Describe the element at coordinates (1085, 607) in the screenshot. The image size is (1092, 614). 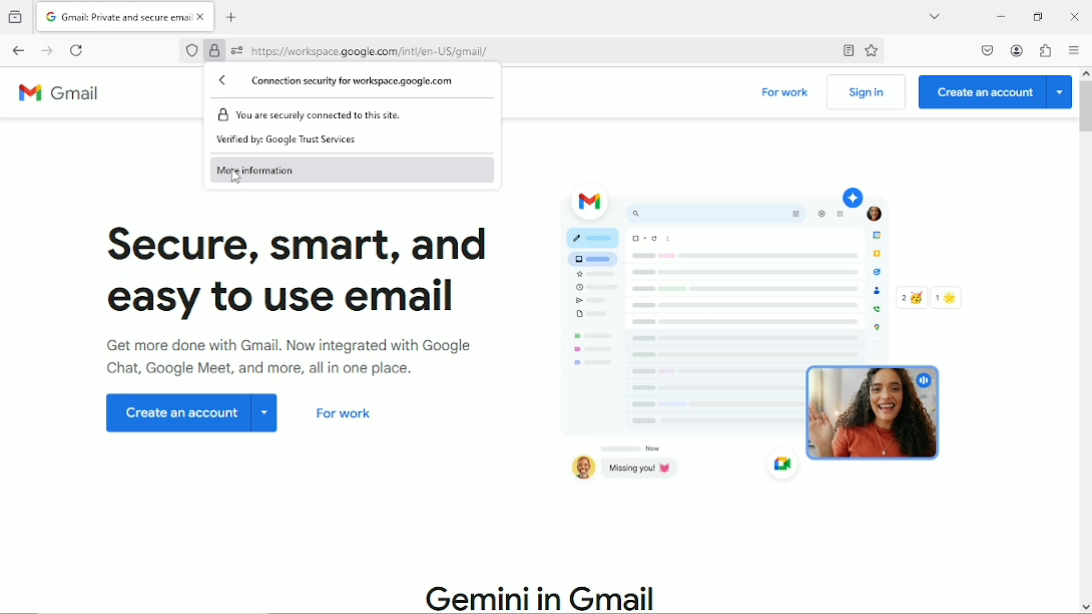
I see `move down` at that location.